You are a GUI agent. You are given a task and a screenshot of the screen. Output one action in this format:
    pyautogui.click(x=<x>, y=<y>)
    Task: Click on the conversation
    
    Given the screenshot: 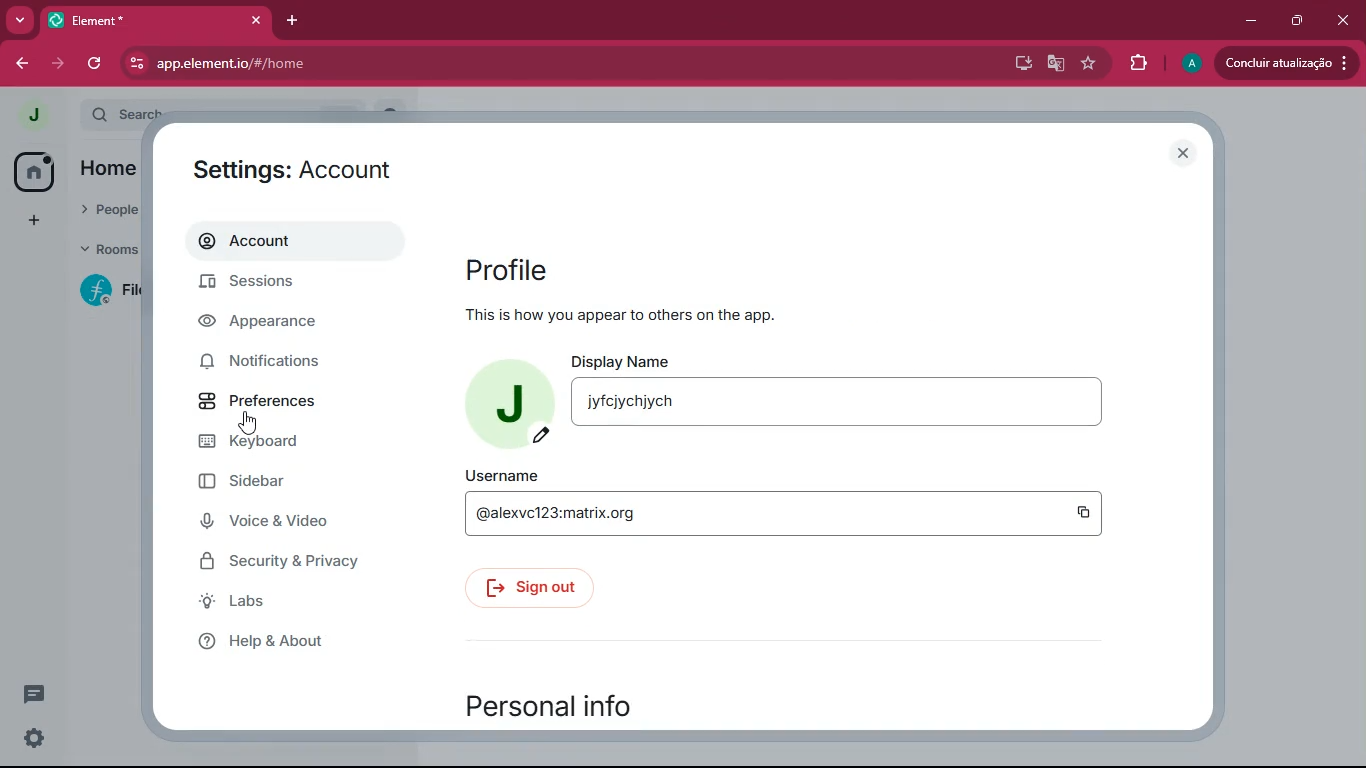 What is the action you would take?
    pyautogui.click(x=32, y=694)
    